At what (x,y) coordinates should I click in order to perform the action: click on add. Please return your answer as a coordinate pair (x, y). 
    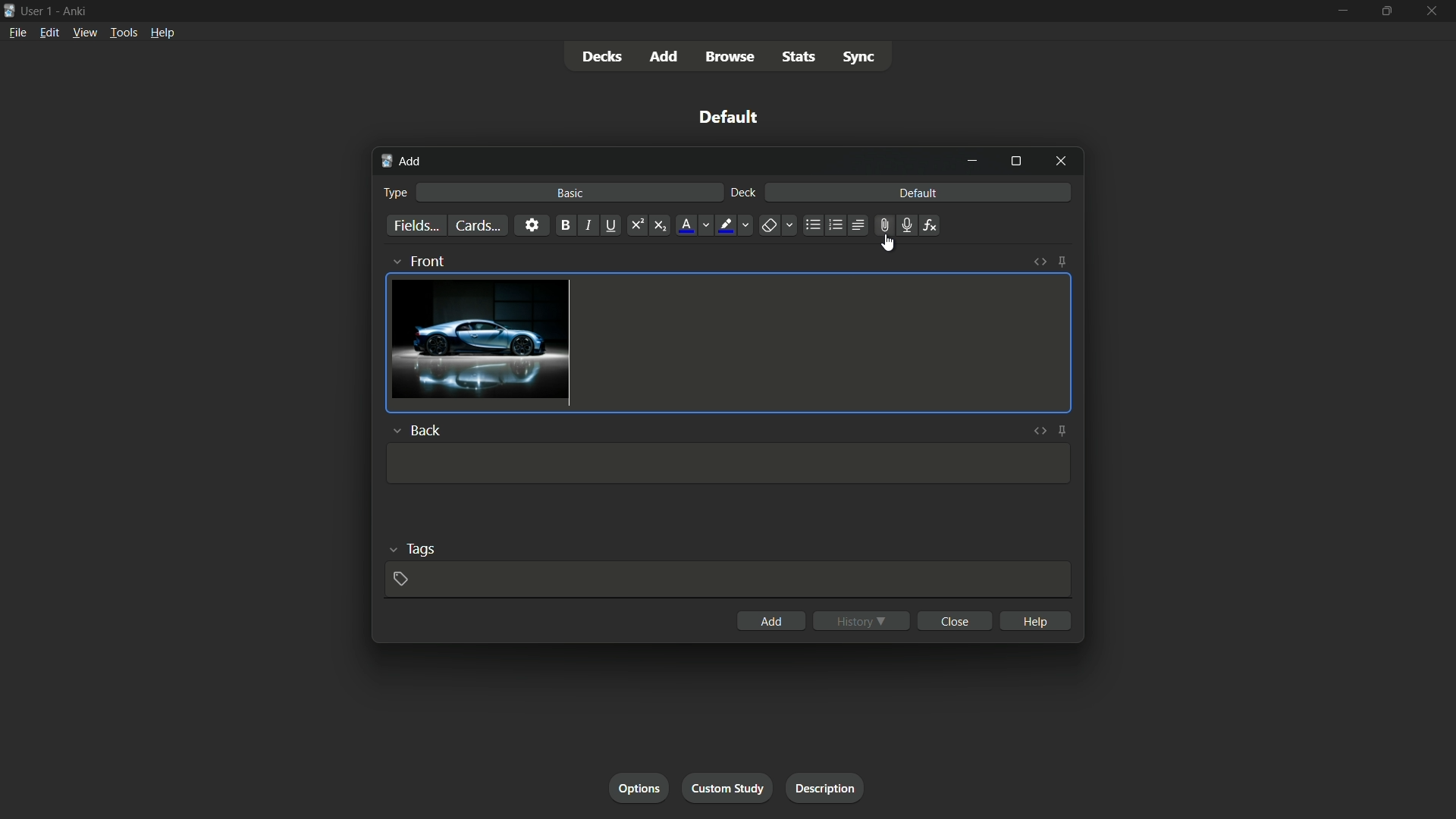
    Looking at the image, I should click on (773, 620).